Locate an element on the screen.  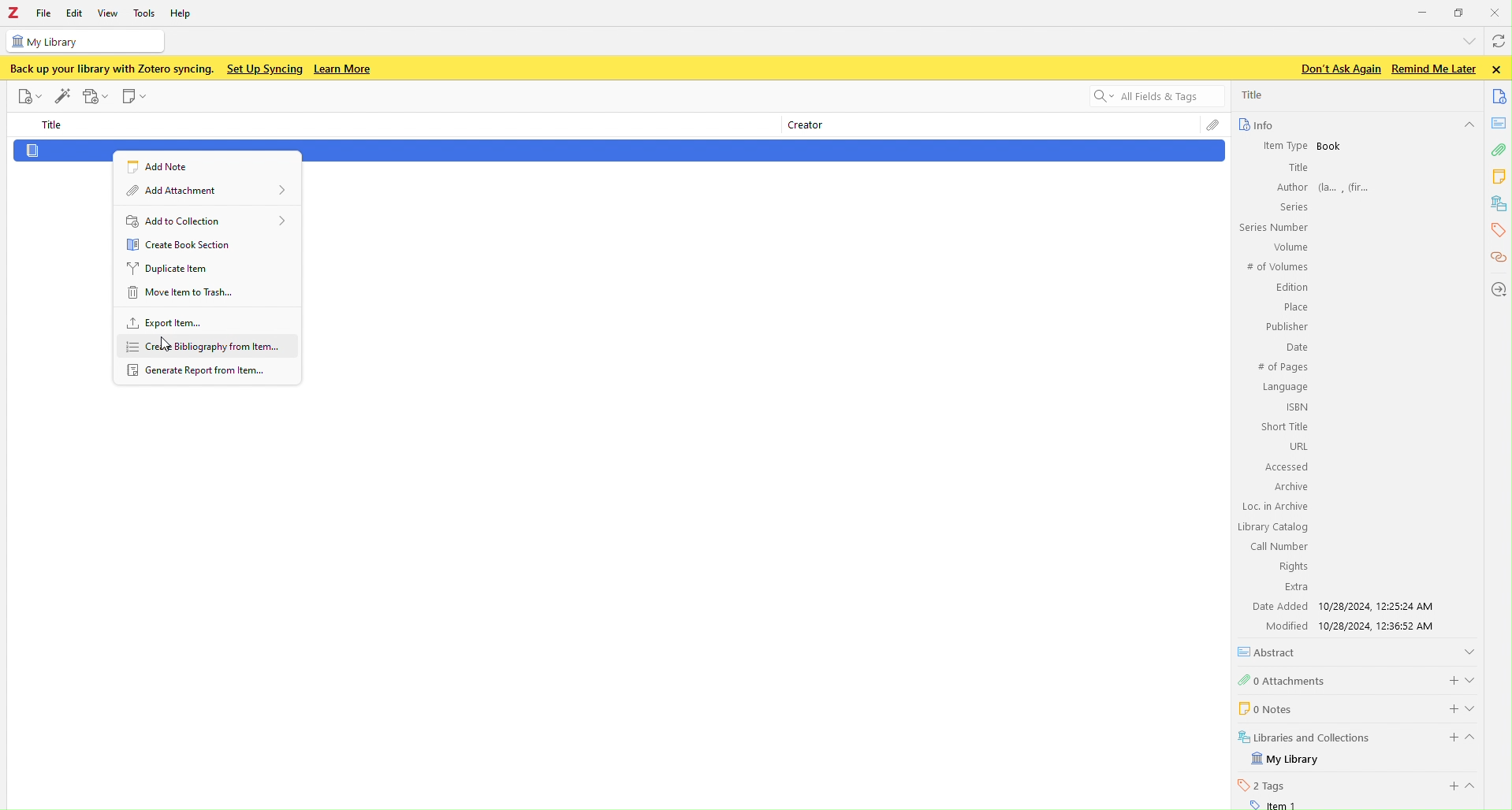
Book is located at coordinates (1330, 147).